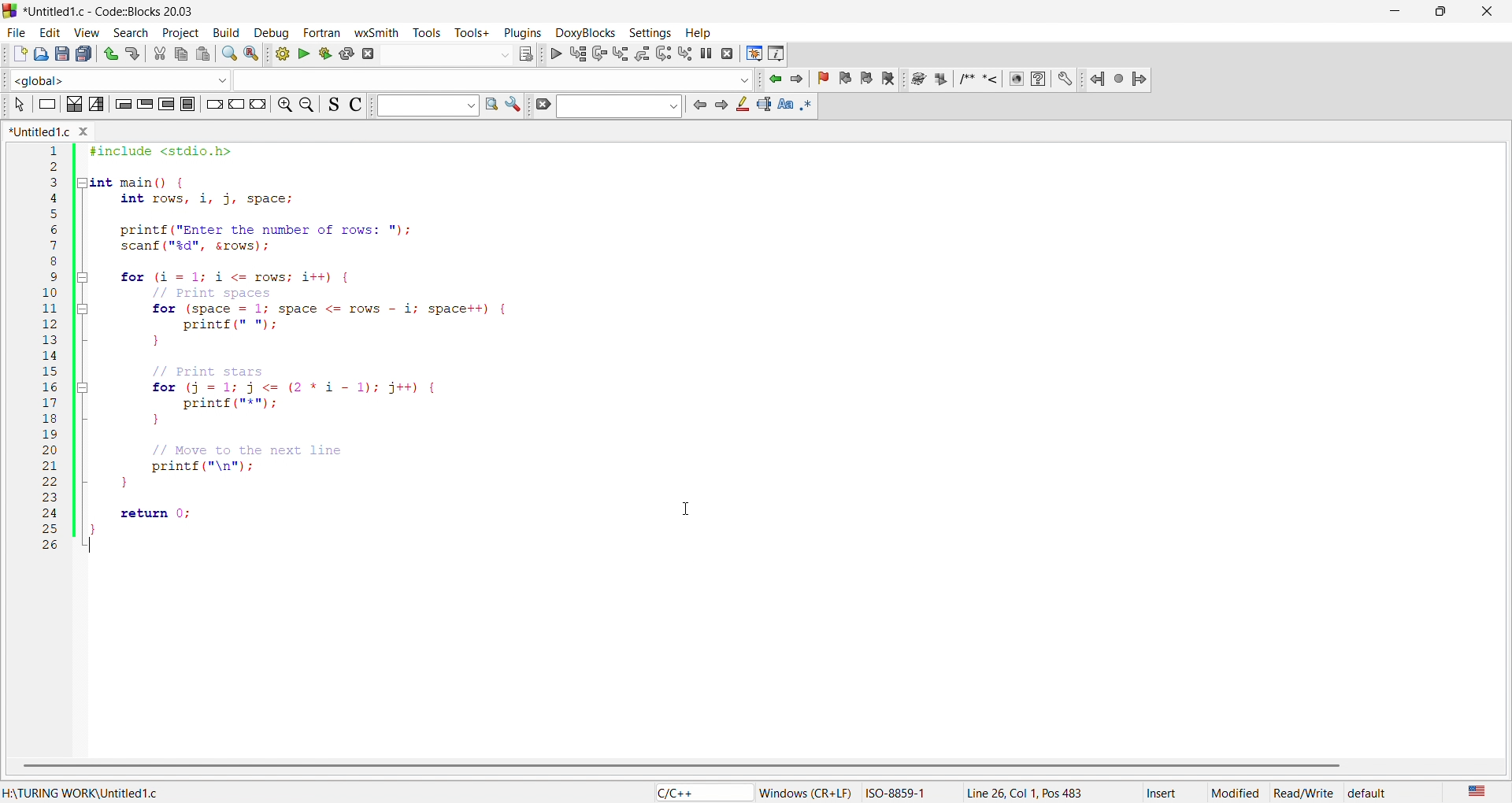  Describe the element at coordinates (180, 31) in the screenshot. I see `project` at that location.